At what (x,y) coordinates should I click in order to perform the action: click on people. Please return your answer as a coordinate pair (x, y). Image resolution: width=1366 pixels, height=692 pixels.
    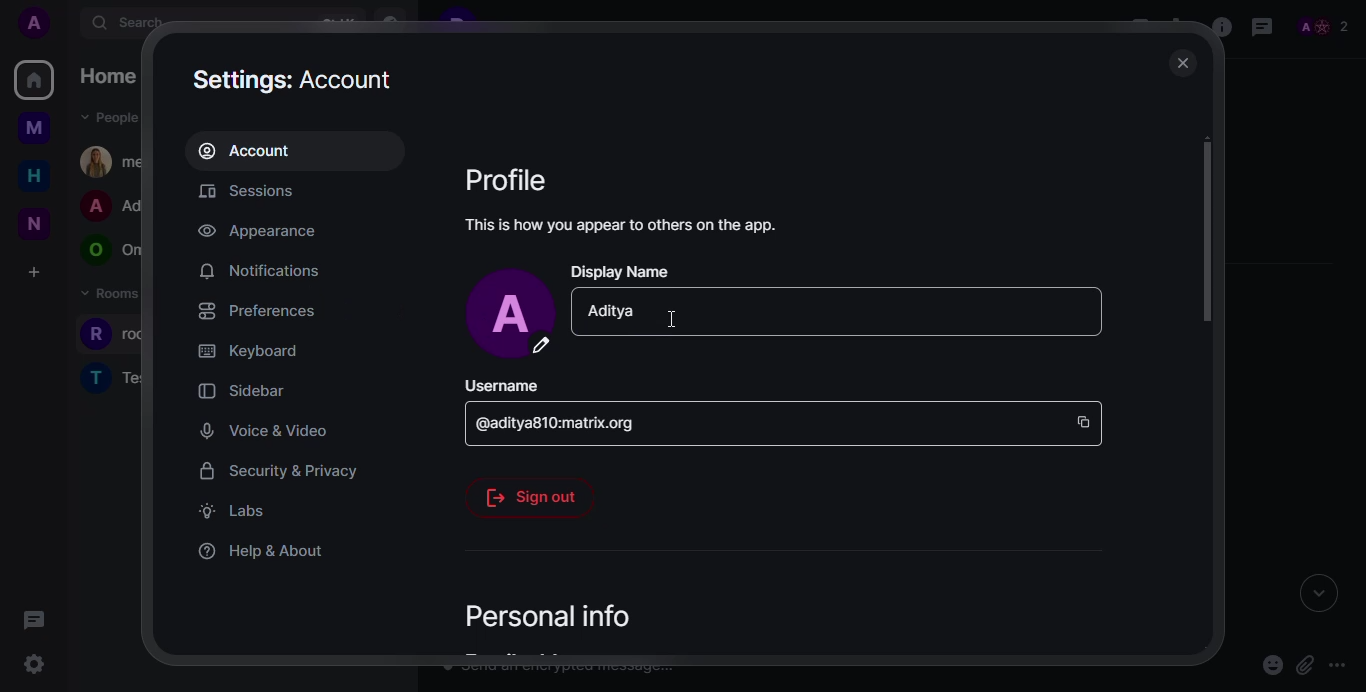
    Looking at the image, I should click on (112, 207).